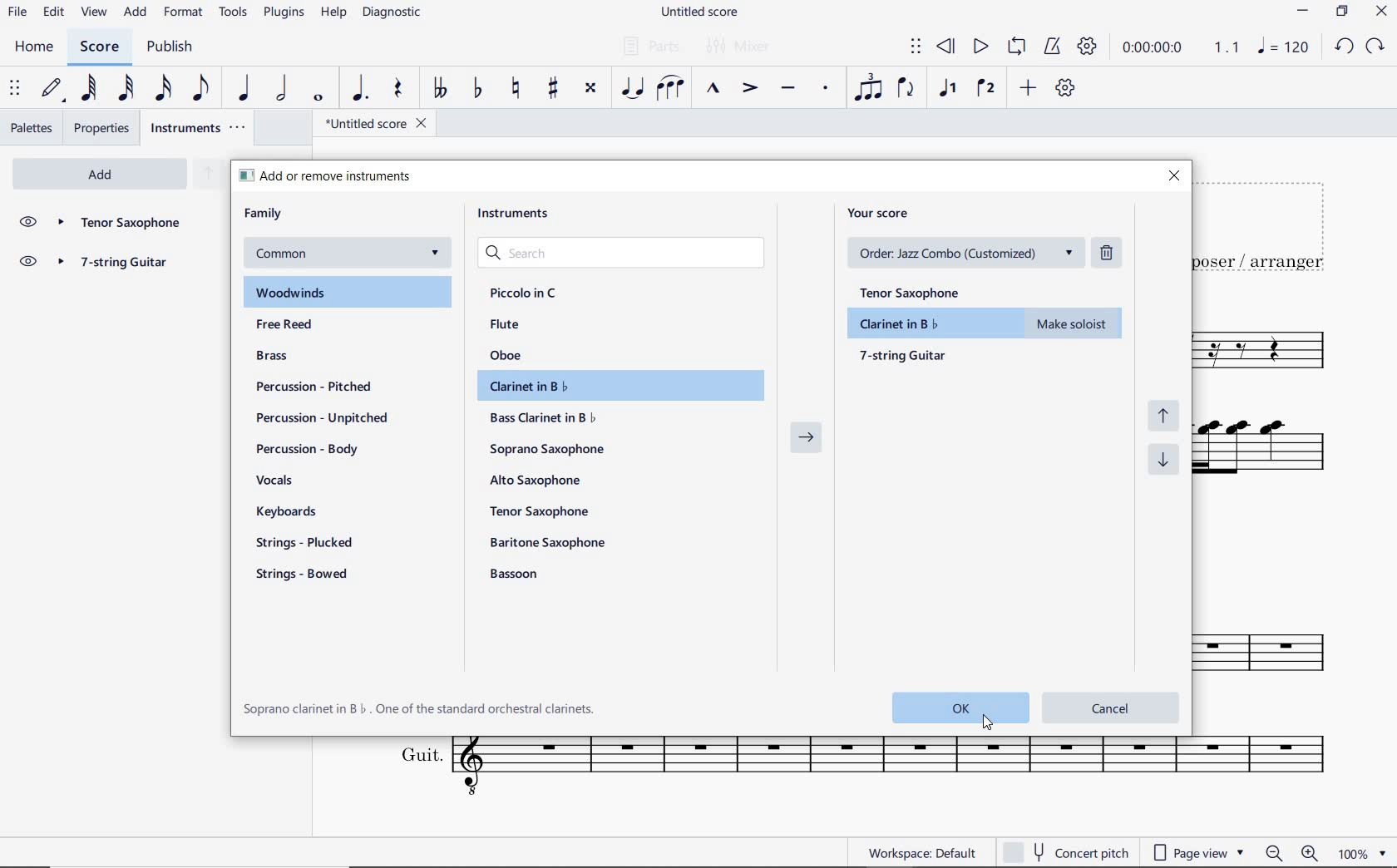 This screenshot has height=868, width=1397. What do you see at coordinates (317, 326) in the screenshot?
I see `free reed` at bounding box center [317, 326].